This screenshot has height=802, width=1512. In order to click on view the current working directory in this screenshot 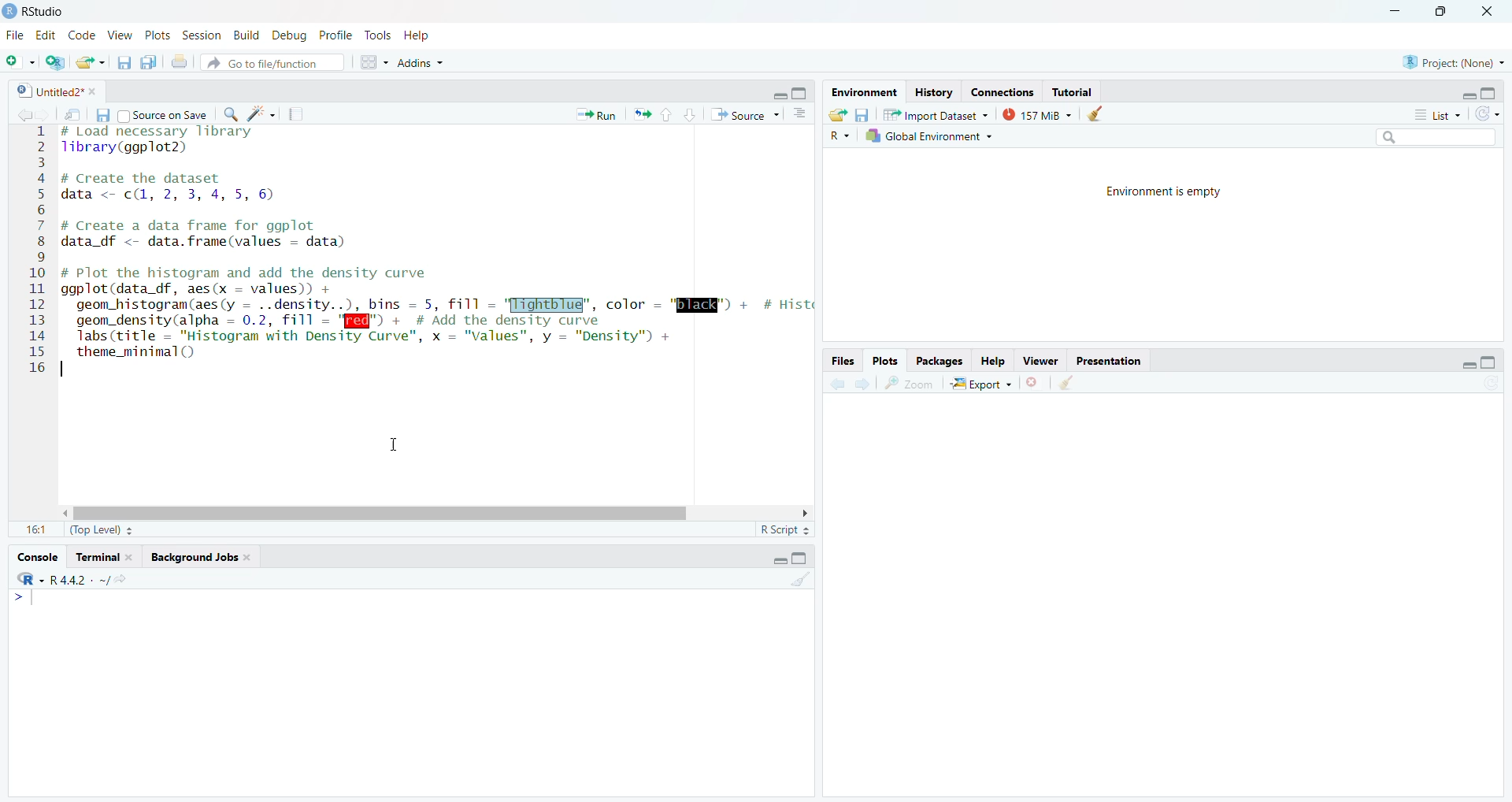, I will do `click(122, 578)`.